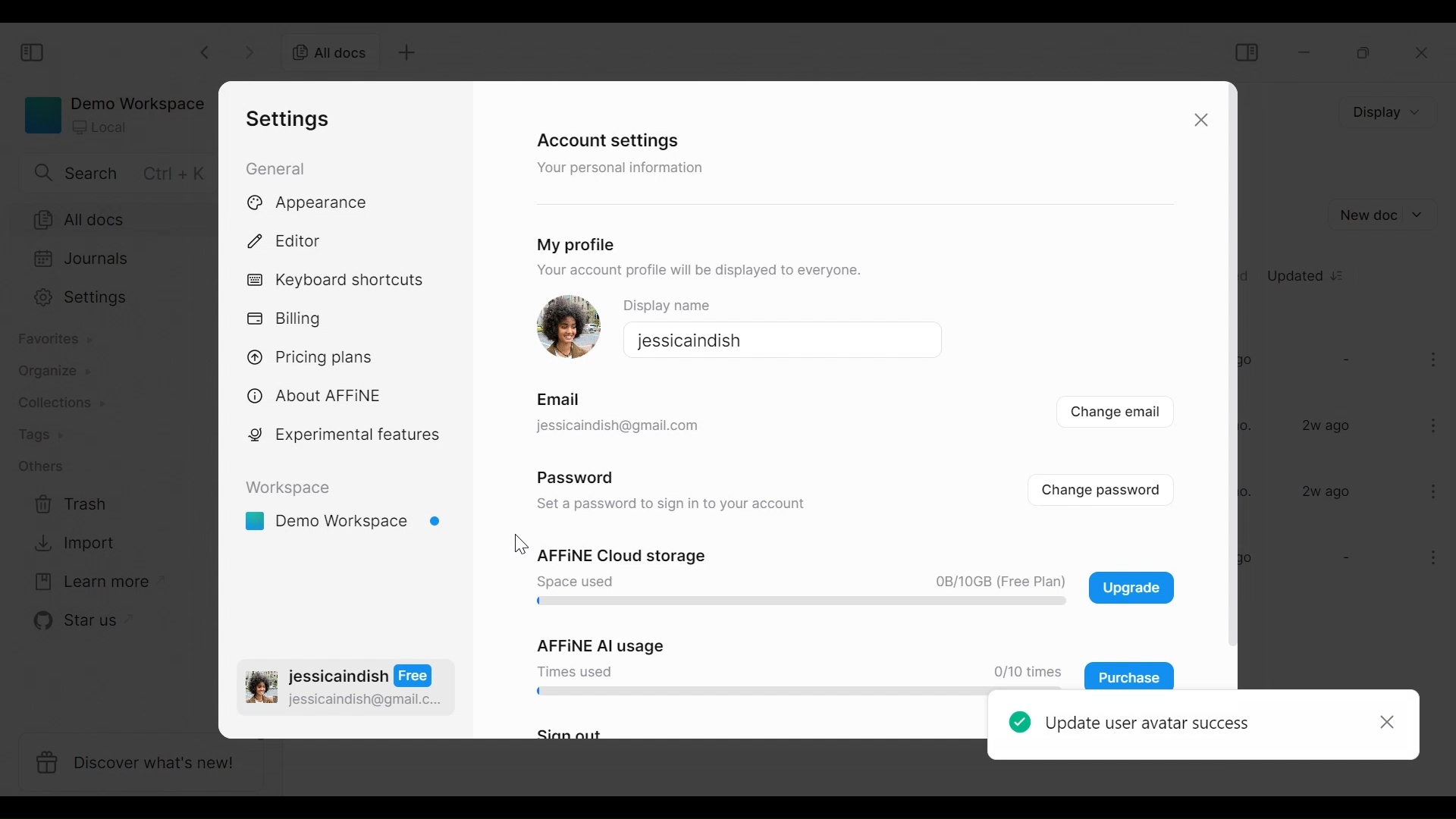 This screenshot has height=819, width=1456. What do you see at coordinates (573, 581) in the screenshot?
I see `Space used` at bounding box center [573, 581].